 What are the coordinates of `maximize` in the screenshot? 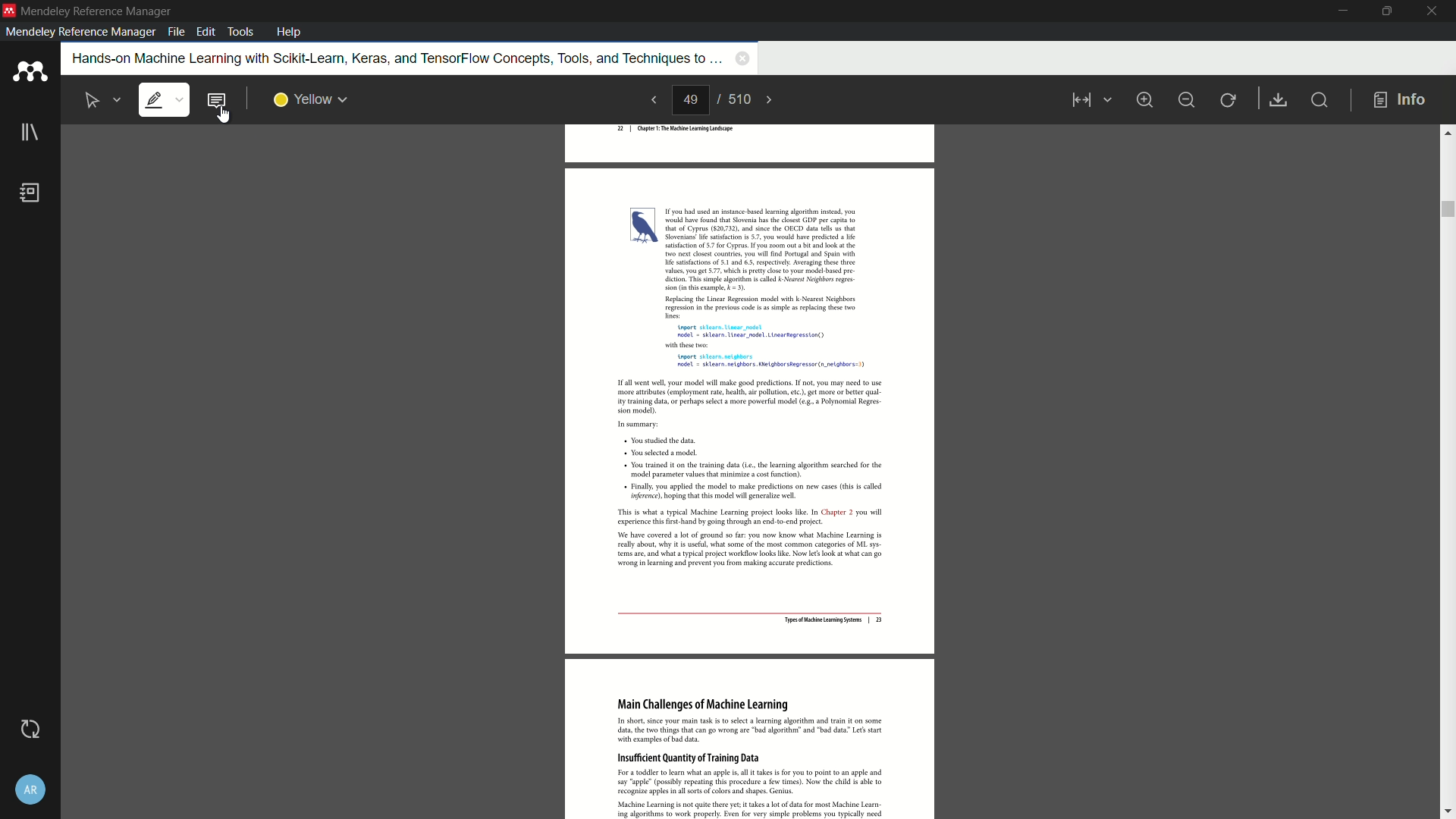 It's located at (1384, 11).